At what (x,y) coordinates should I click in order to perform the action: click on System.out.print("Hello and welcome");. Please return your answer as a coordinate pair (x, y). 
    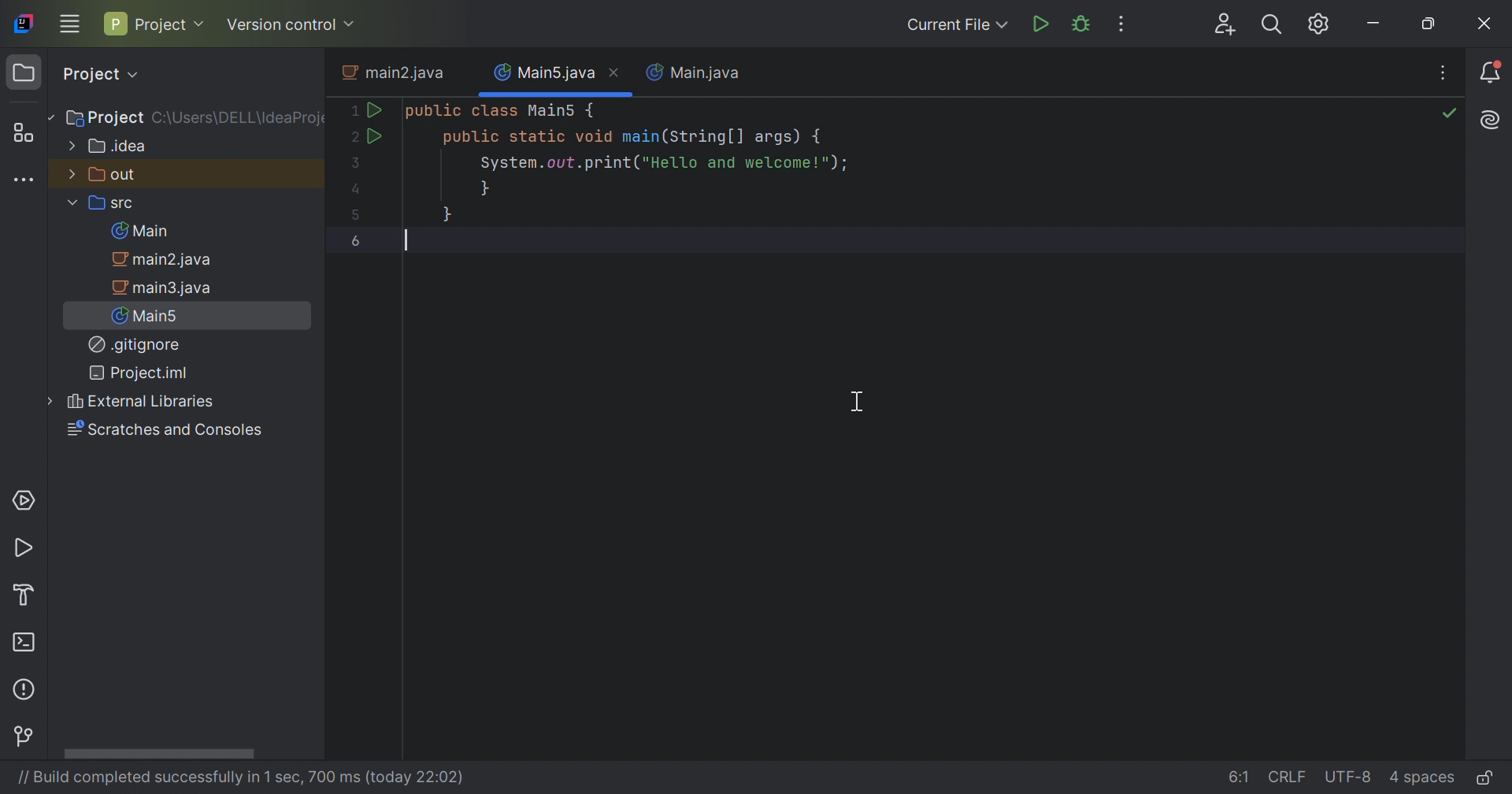
    Looking at the image, I should click on (662, 165).